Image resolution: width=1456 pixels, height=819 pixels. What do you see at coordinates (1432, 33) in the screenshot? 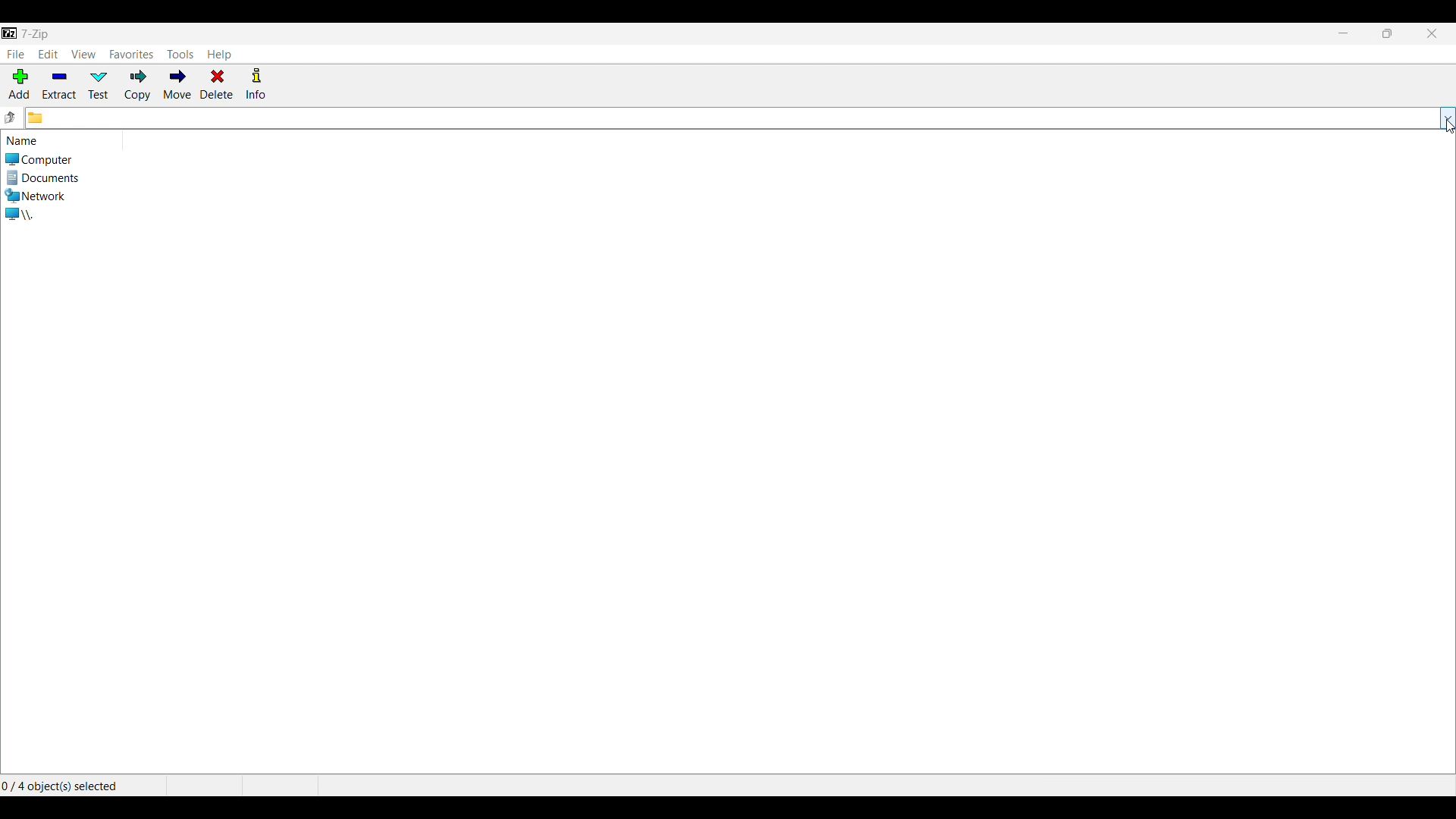
I see `Close interface` at bounding box center [1432, 33].